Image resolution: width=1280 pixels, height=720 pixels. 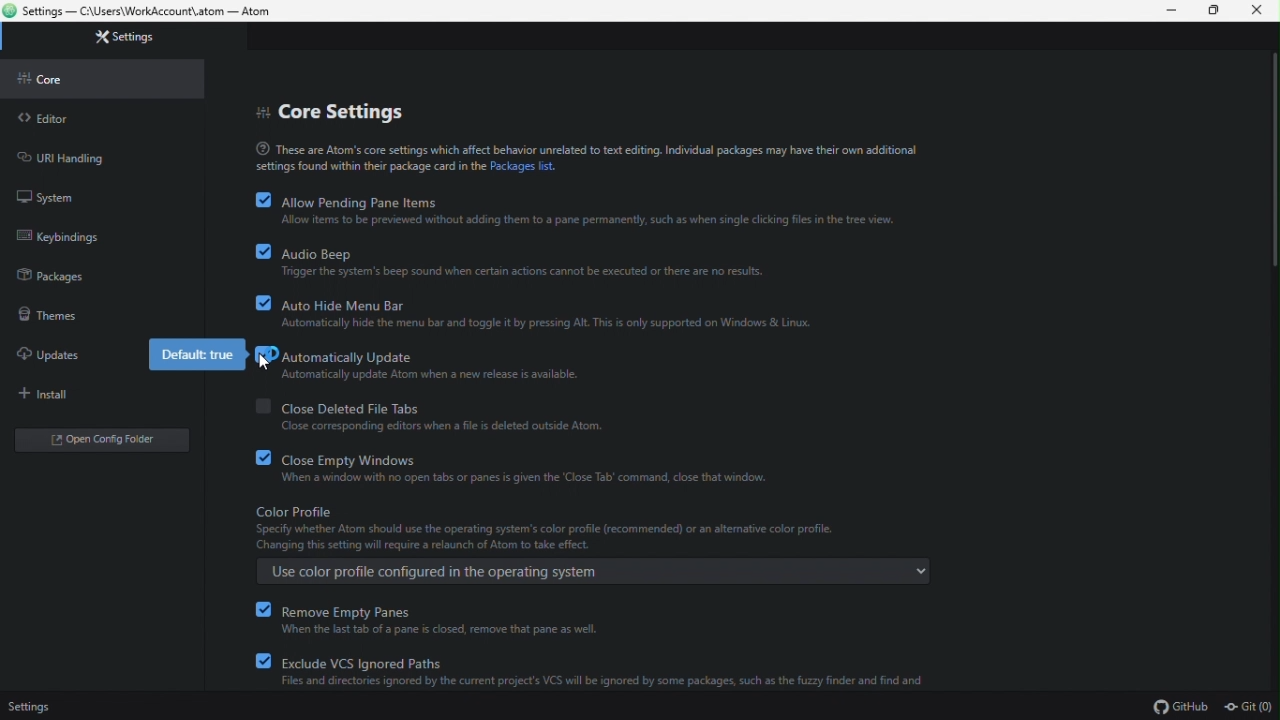 I want to click on Cursor, so click(x=267, y=364).